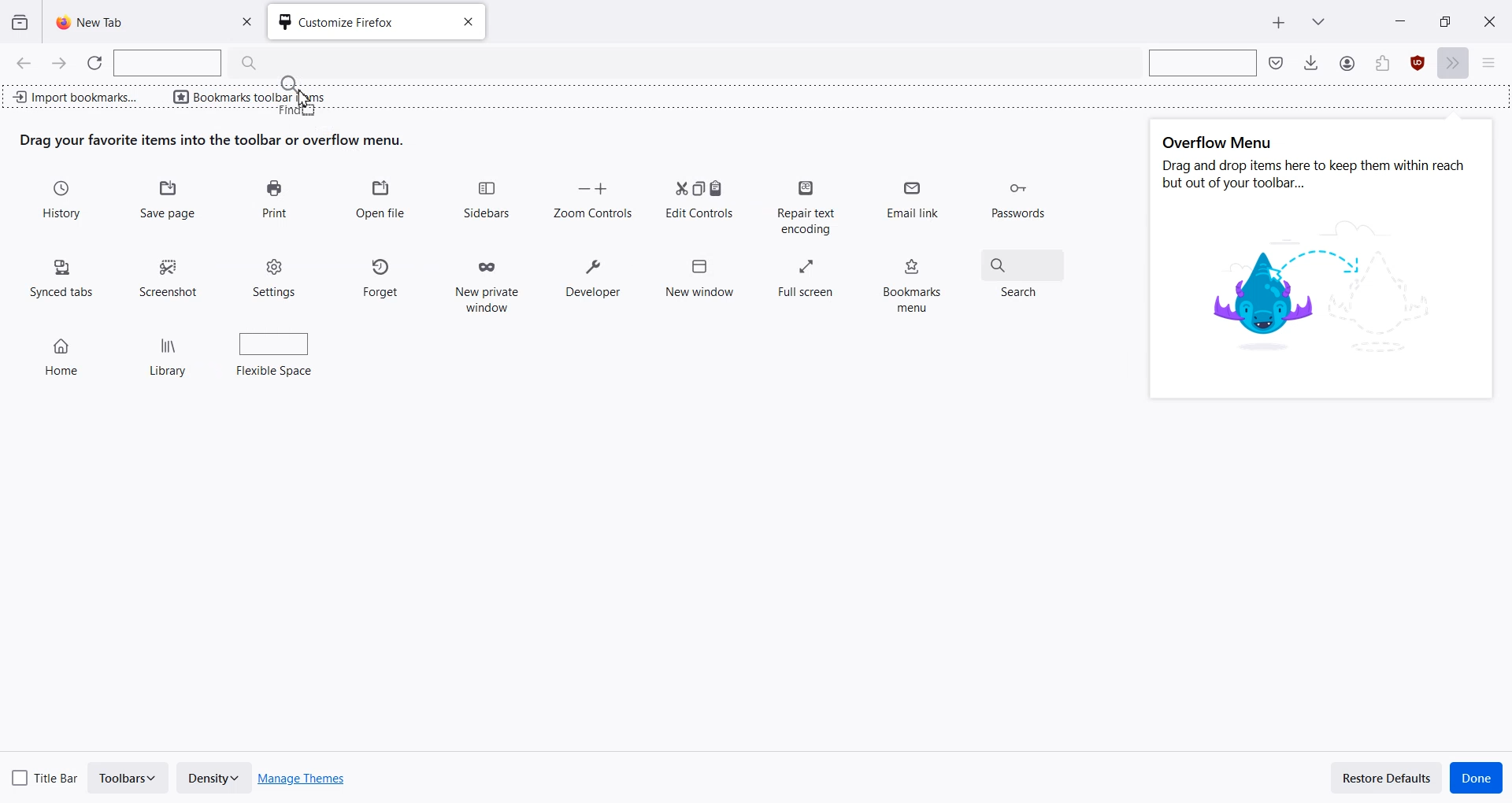 This screenshot has height=803, width=1512. What do you see at coordinates (1316, 164) in the screenshot?
I see `Text` at bounding box center [1316, 164].